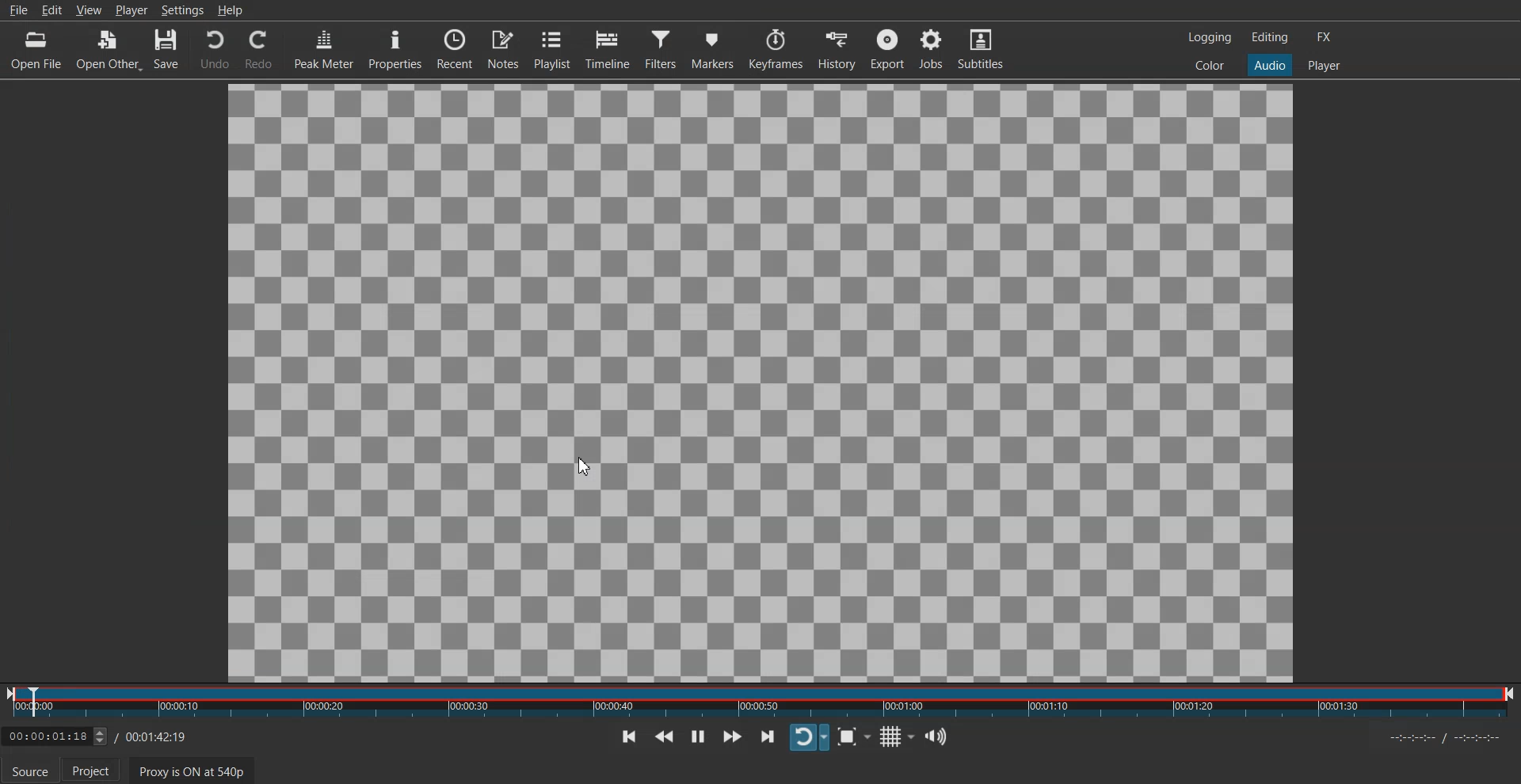 The image size is (1521, 784). I want to click on Peak Meter, so click(322, 48).